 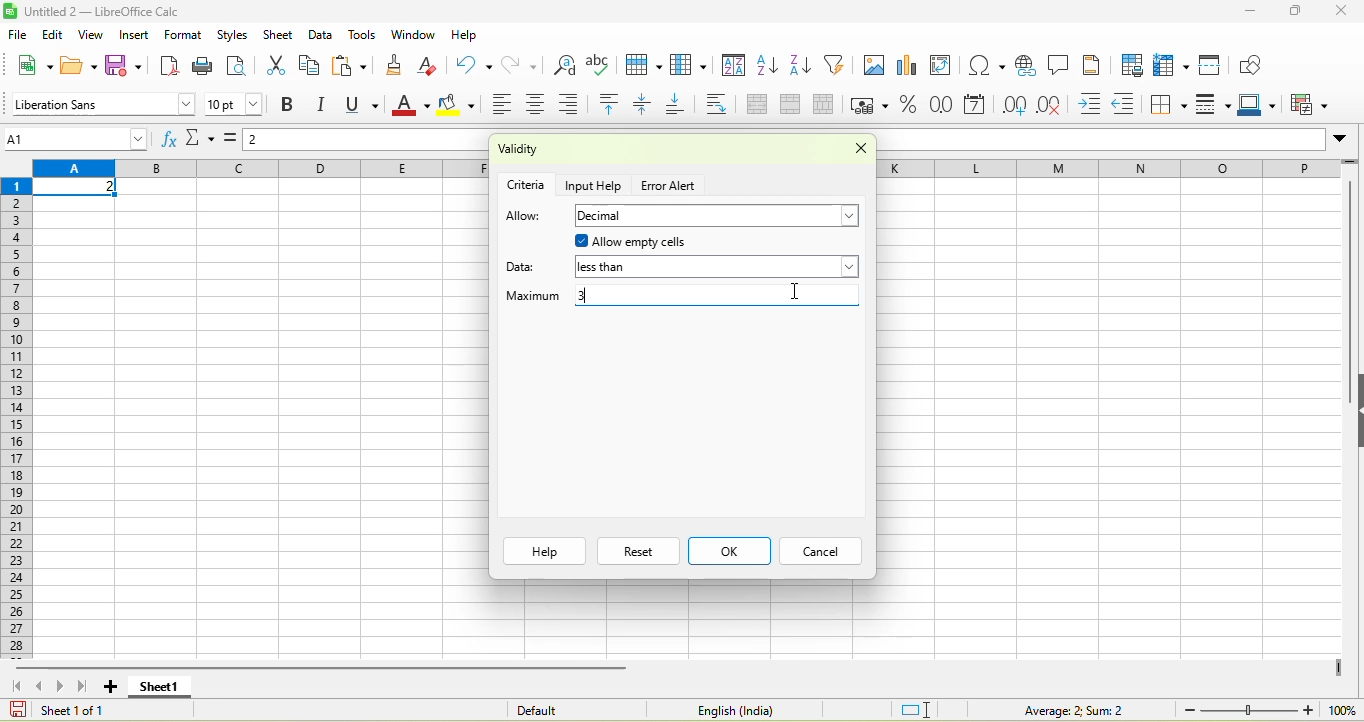 I want to click on sort ascending, so click(x=769, y=67).